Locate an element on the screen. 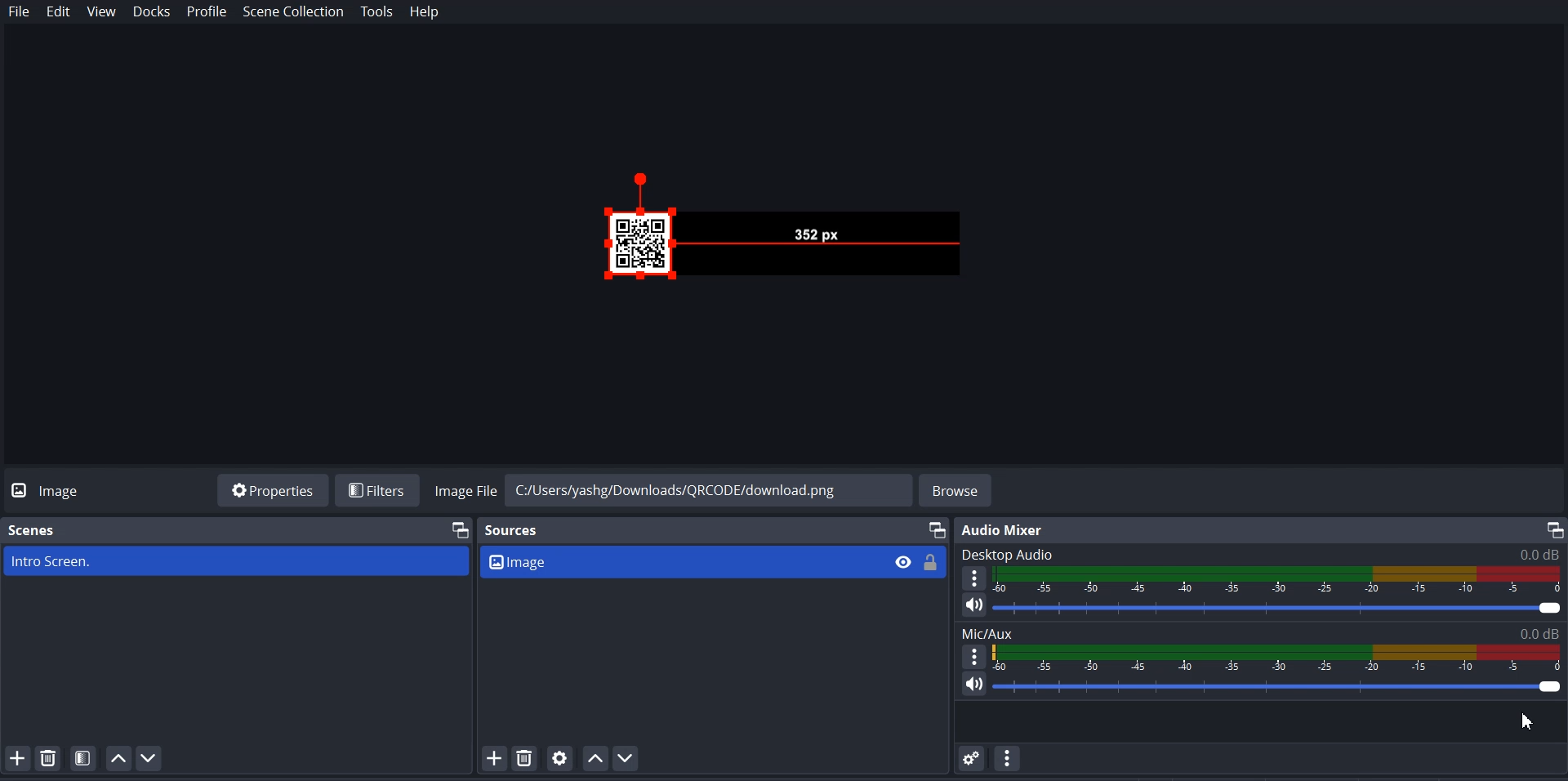  Source file is located at coordinates (679, 560).